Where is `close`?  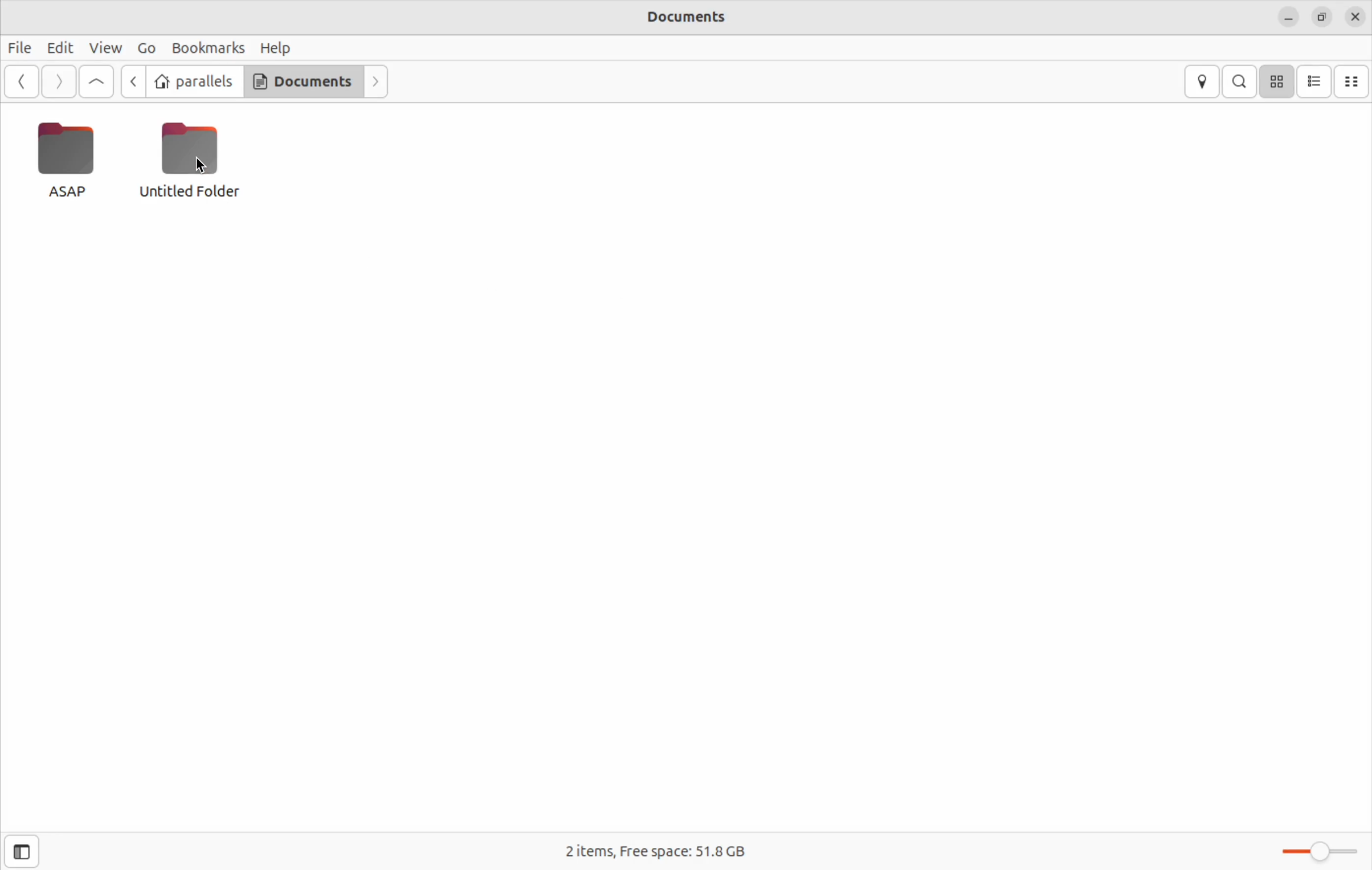 close is located at coordinates (1355, 18).